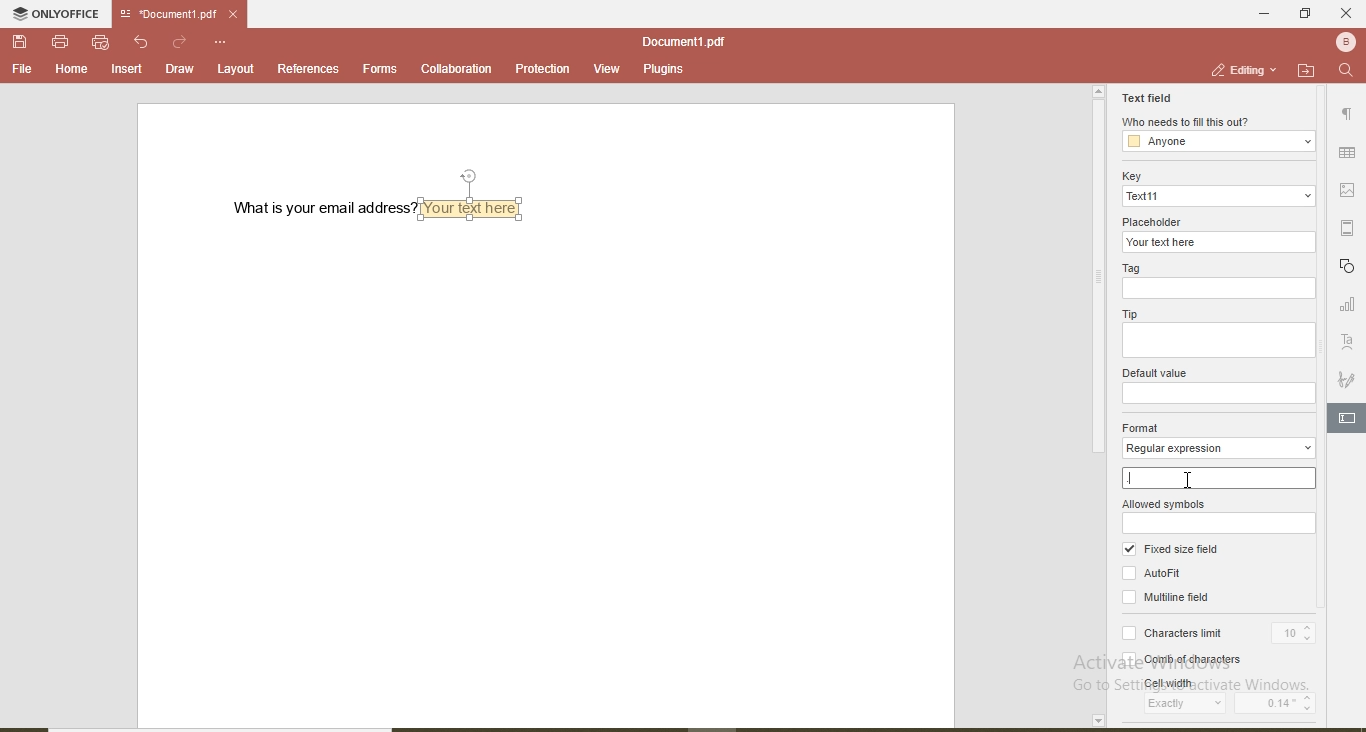  What do you see at coordinates (181, 41) in the screenshot?
I see `redo` at bounding box center [181, 41].